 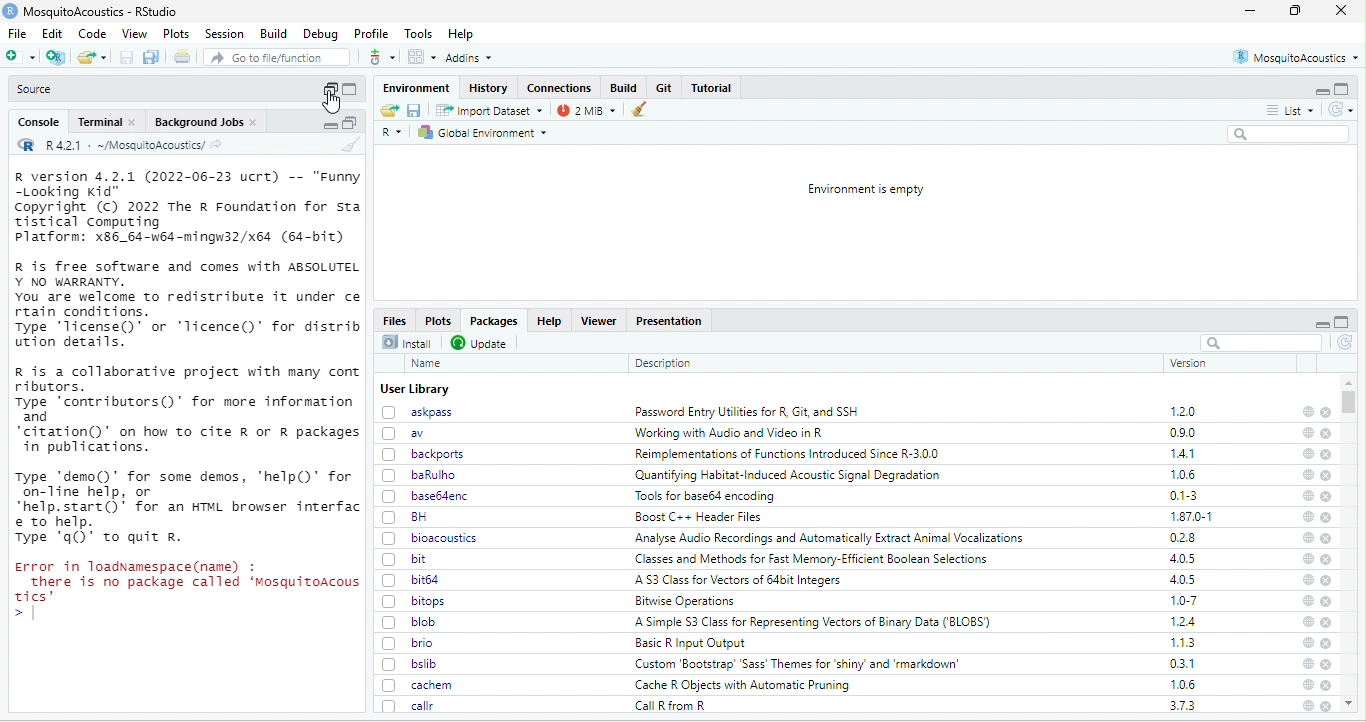 I want to click on R version 4.2.1 (2022-06-23 ucrt) -- “Funny
-Looking Kid"

copyright (C) 2022 The R Foundation for sta
tistical computing

Platform: x86_64-w64-mingw32/x64 (64-bit), so click(x=187, y=207).